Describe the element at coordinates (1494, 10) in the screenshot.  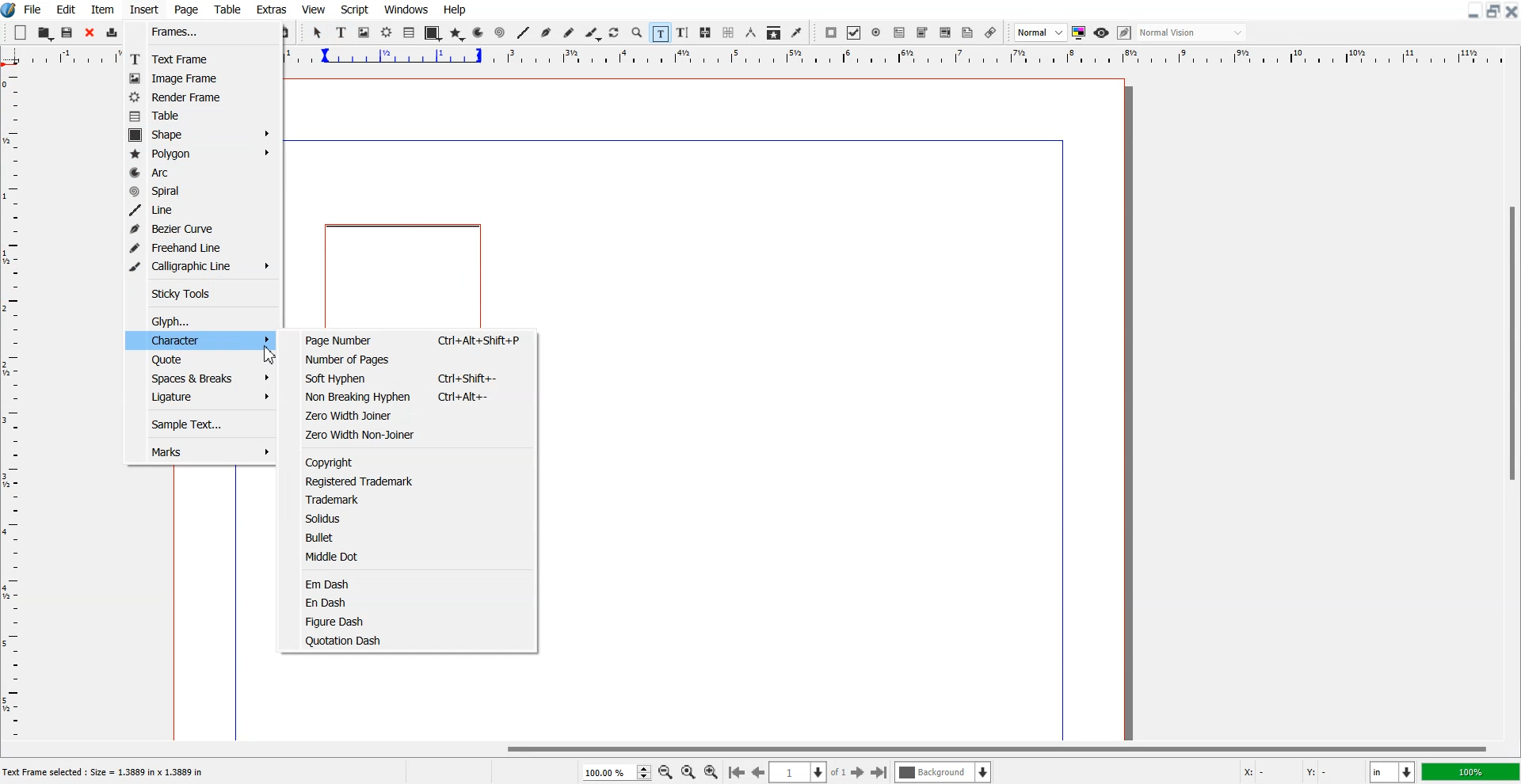
I see `Maximize` at that location.